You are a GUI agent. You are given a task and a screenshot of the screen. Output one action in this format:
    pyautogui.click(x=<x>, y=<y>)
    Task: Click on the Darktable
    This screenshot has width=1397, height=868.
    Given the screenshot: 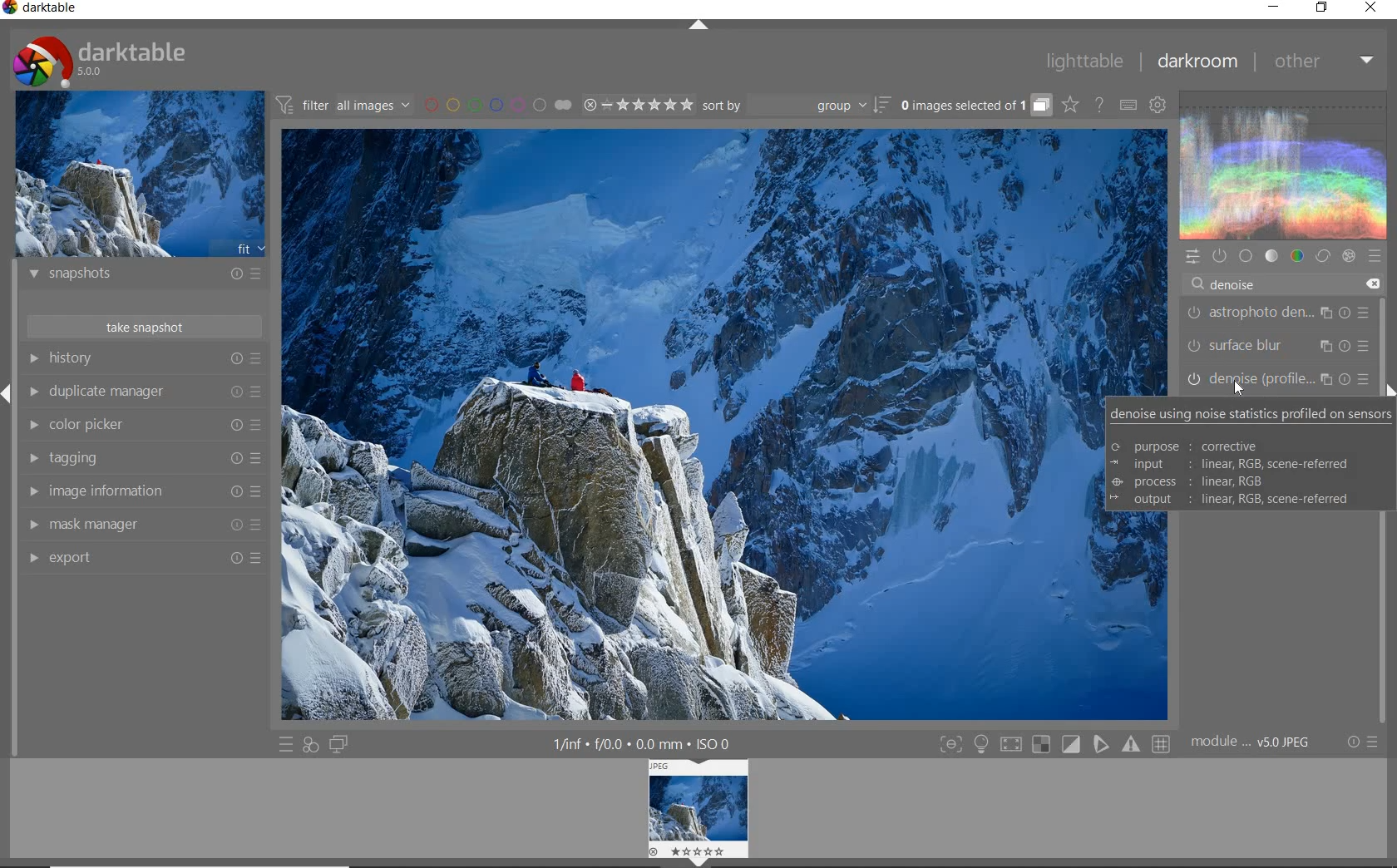 What is the action you would take?
    pyautogui.click(x=42, y=11)
    